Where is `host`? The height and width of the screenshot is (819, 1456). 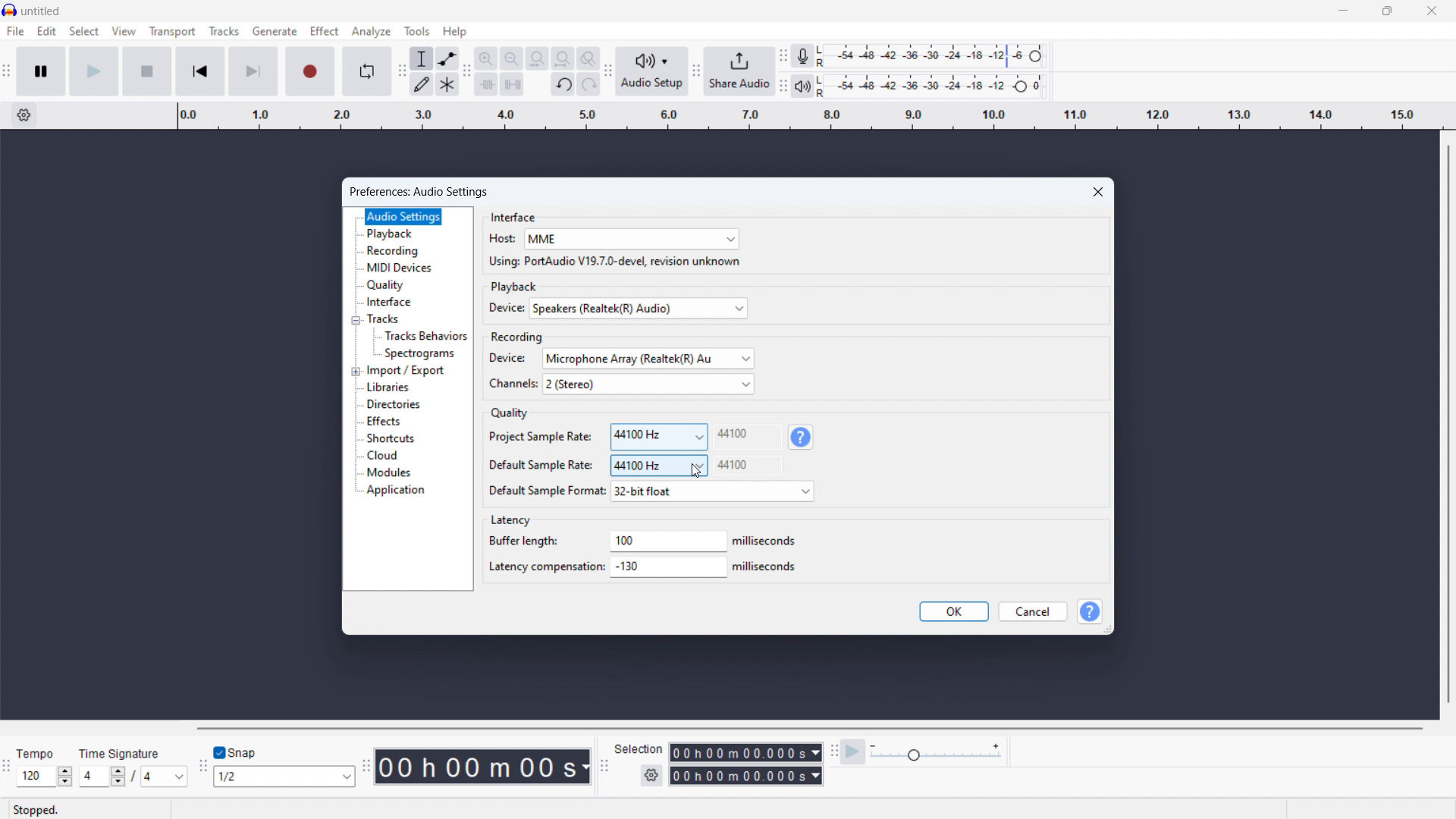 host is located at coordinates (500, 239).